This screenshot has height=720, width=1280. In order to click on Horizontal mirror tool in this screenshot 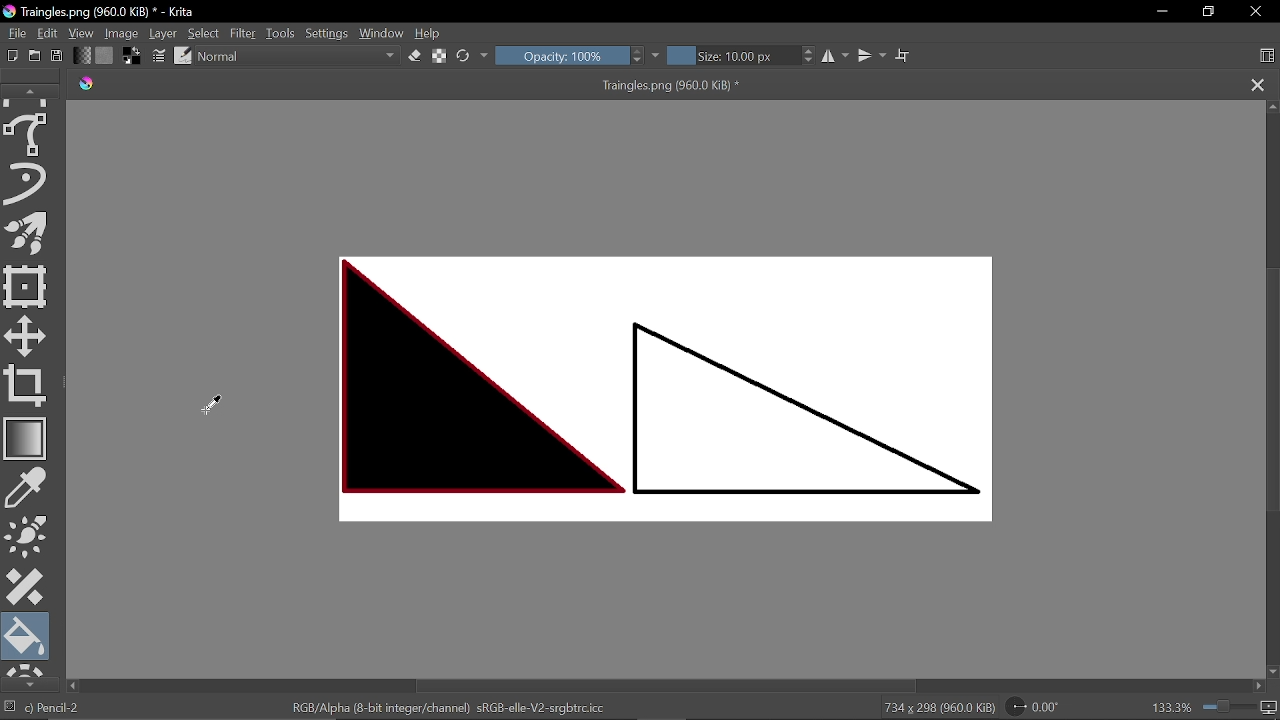, I will do `click(837, 57)`.